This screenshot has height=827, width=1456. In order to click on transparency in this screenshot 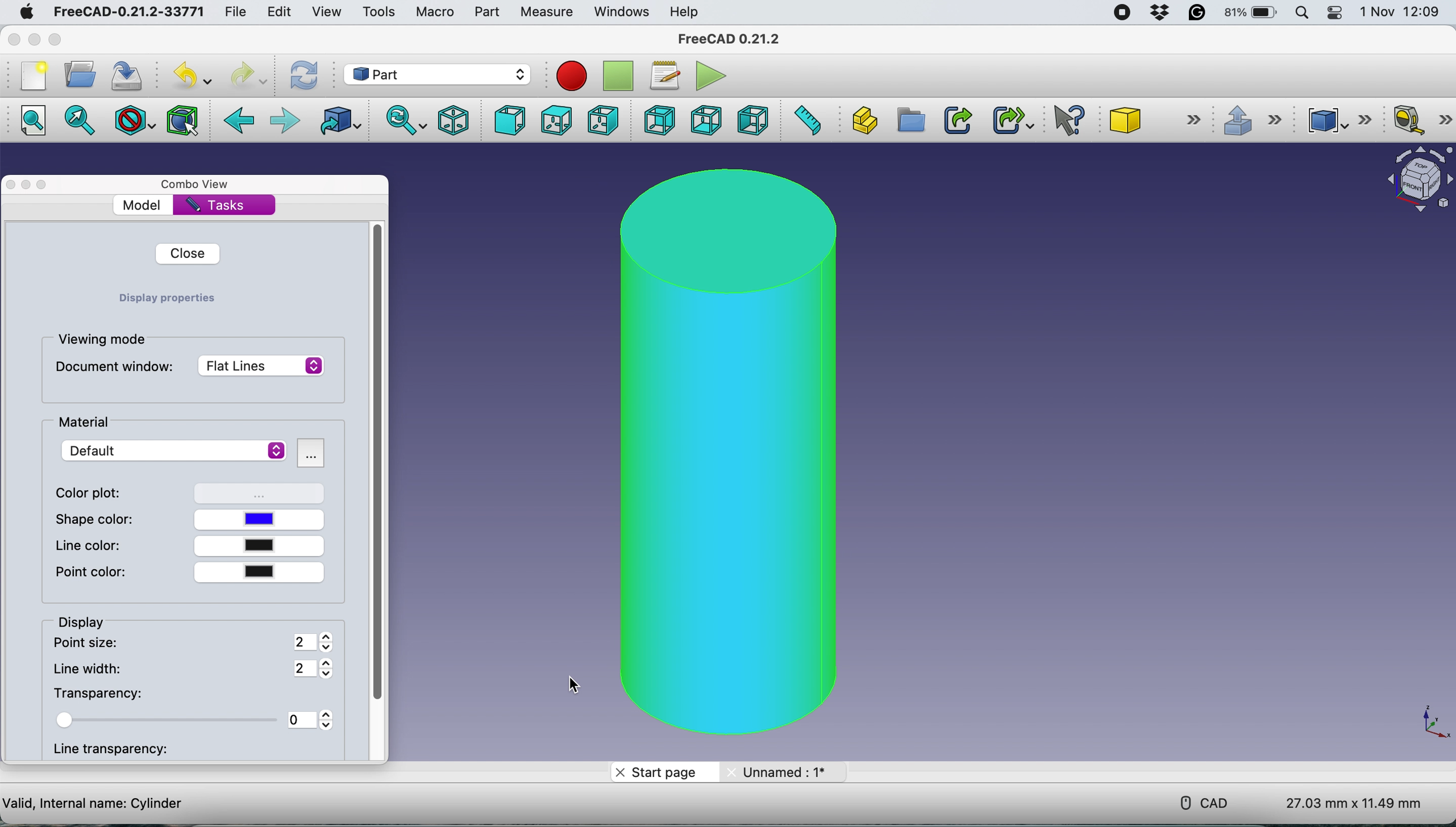, I will do `click(192, 720)`.